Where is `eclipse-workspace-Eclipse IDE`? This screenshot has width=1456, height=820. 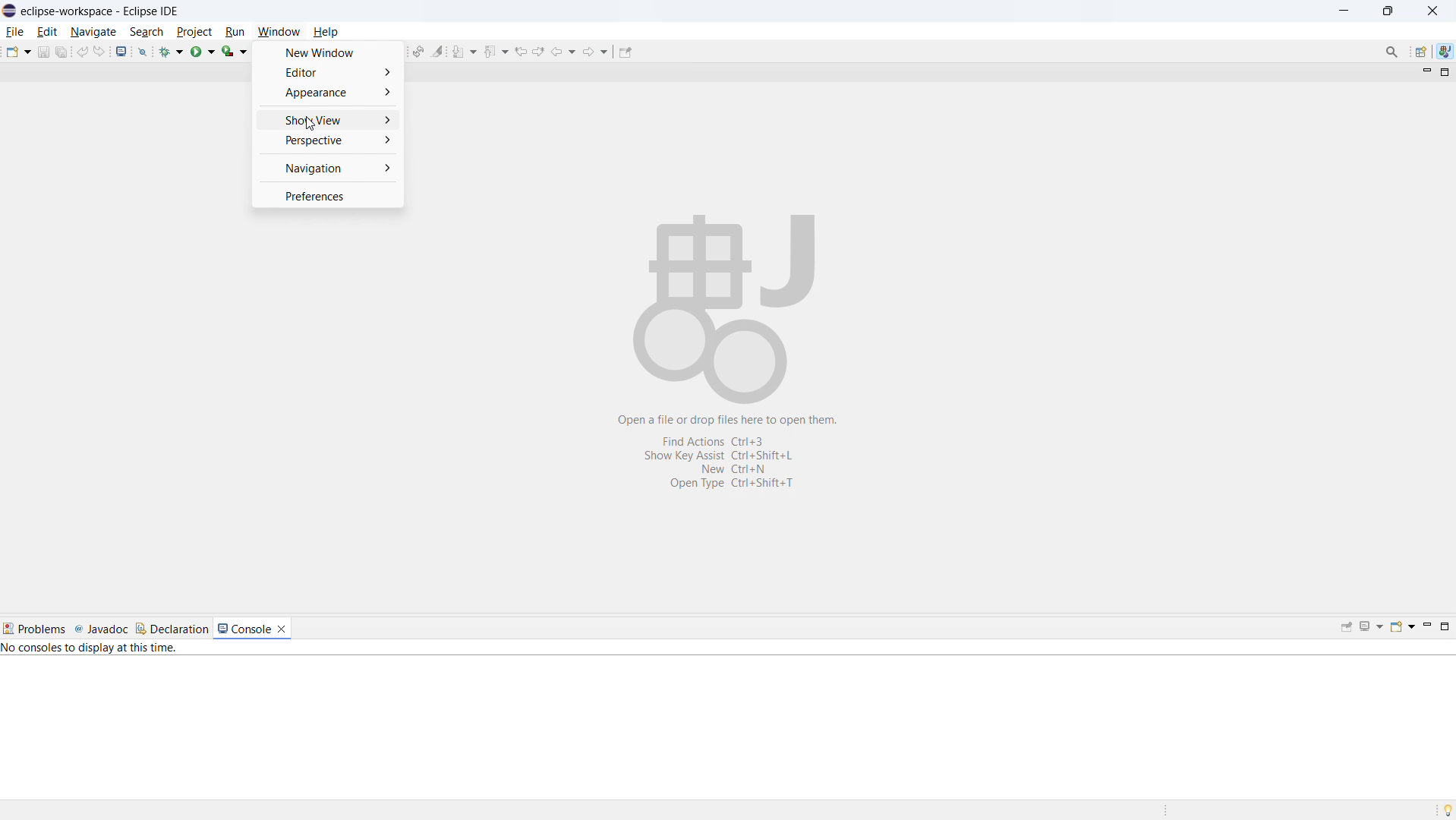 eclipse-workspace-Eclipse IDE is located at coordinates (97, 11).